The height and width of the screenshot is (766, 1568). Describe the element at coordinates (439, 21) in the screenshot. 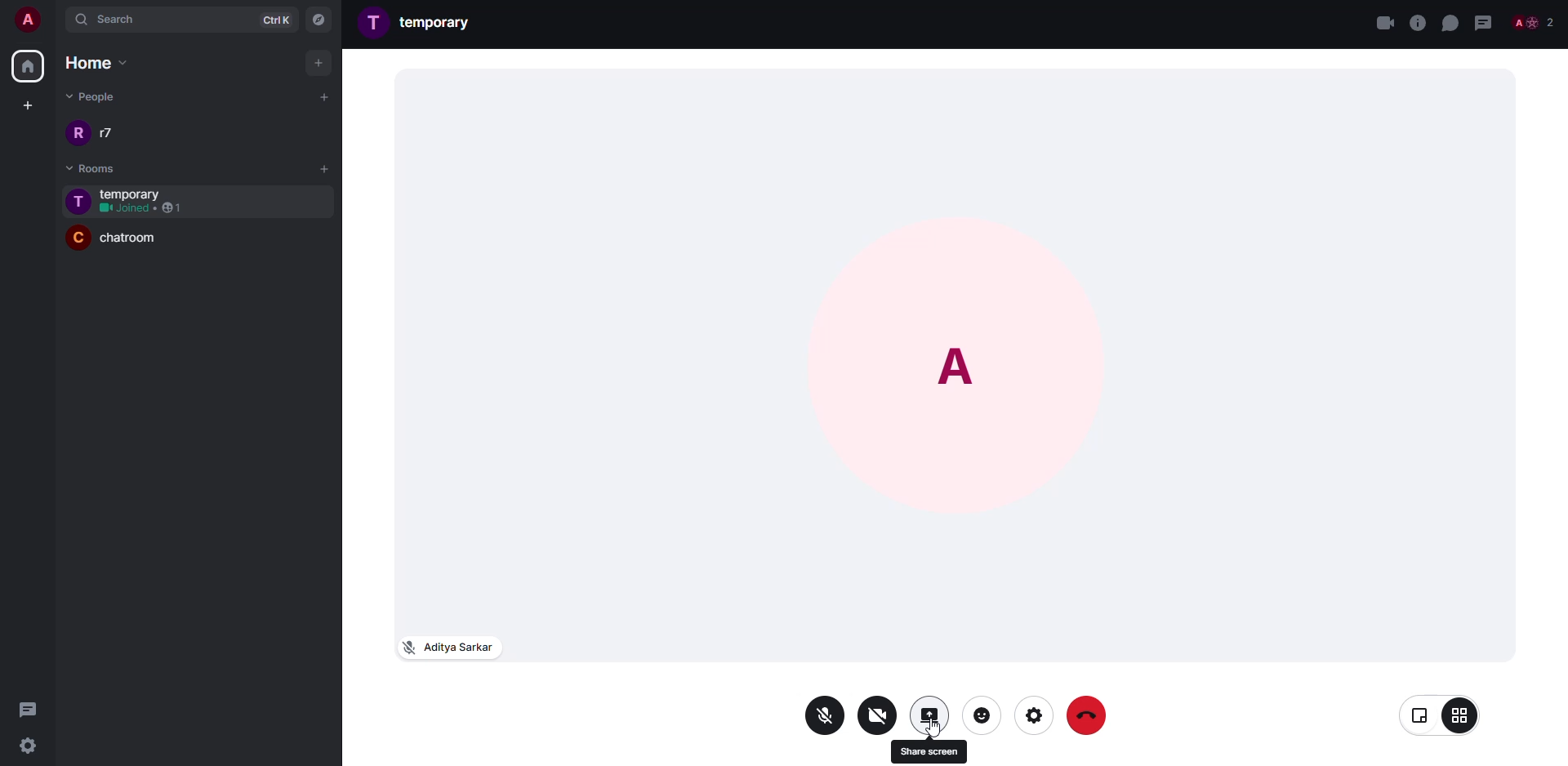

I see `room` at that location.